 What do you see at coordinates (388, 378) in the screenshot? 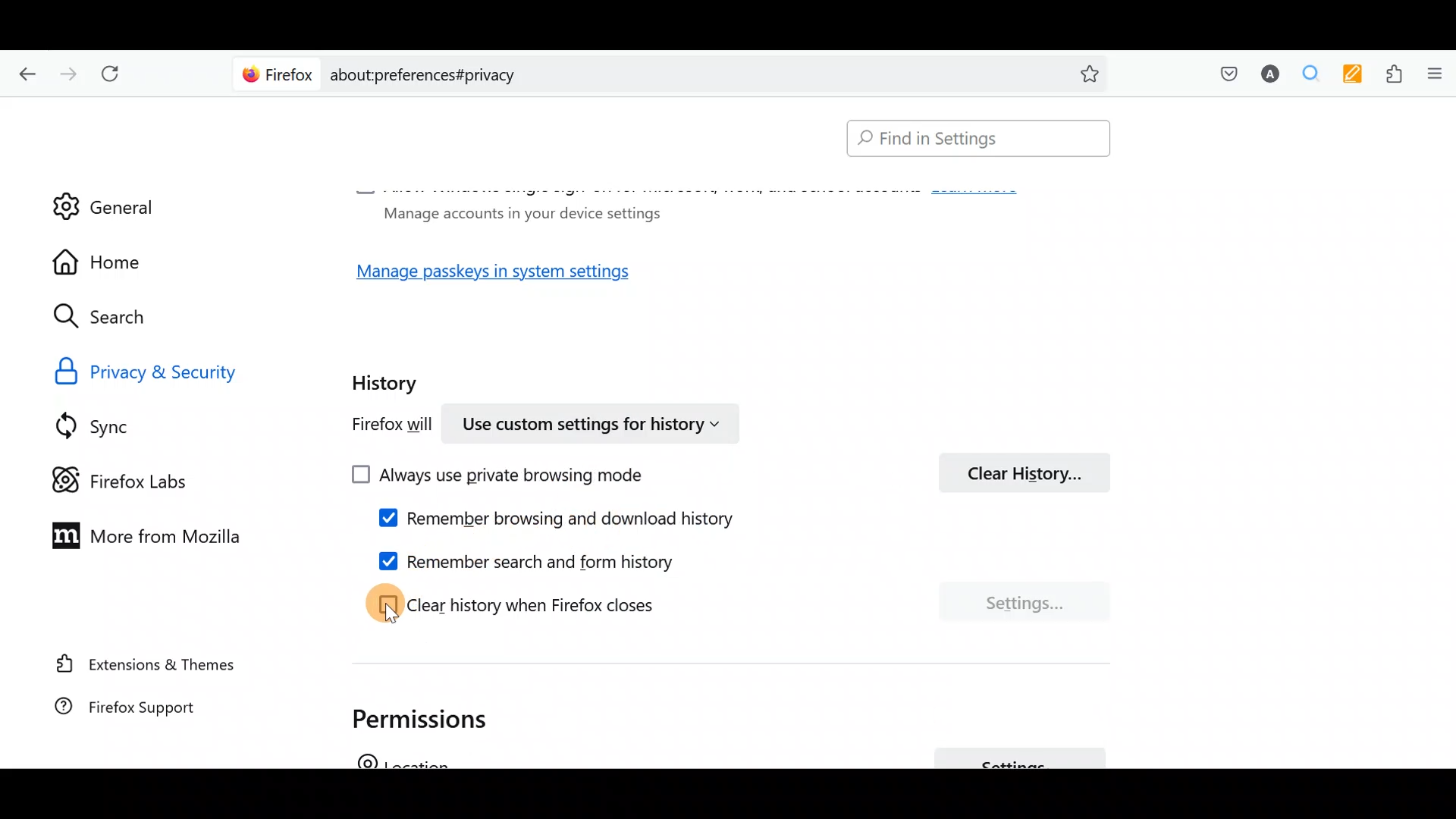
I see `History` at bounding box center [388, 378].